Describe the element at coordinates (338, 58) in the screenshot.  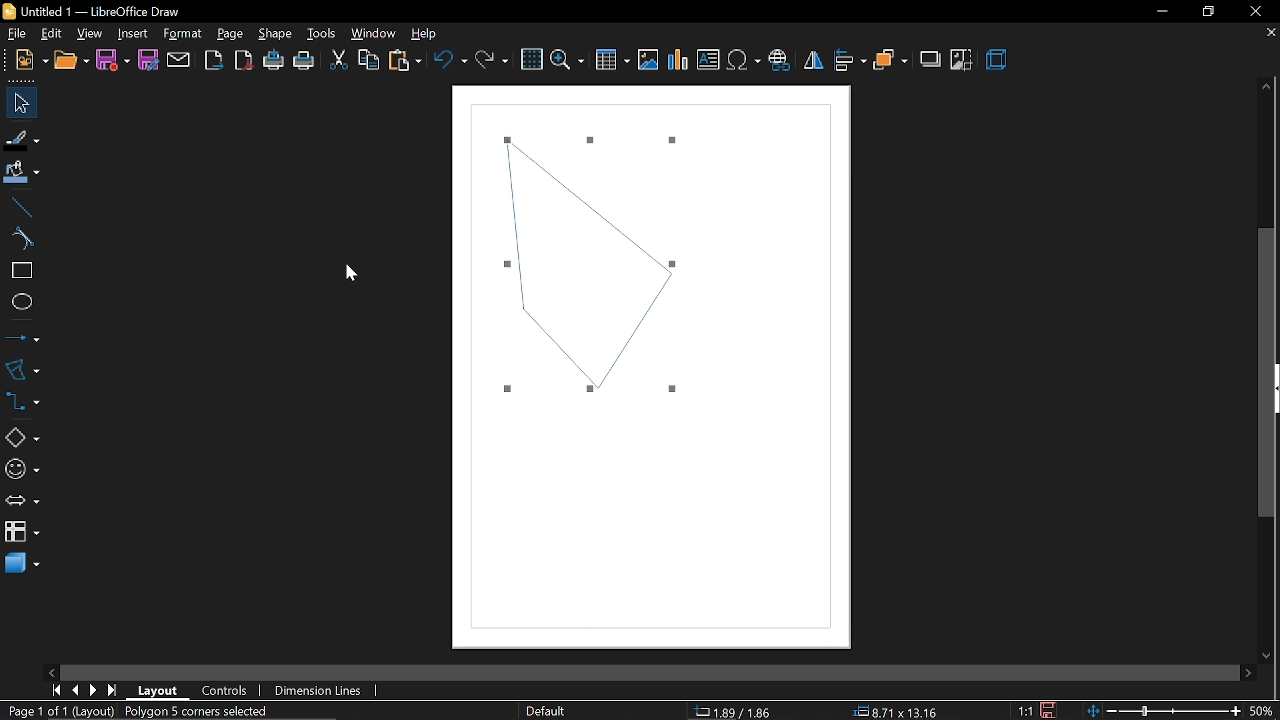
I see `cut ` at that location.